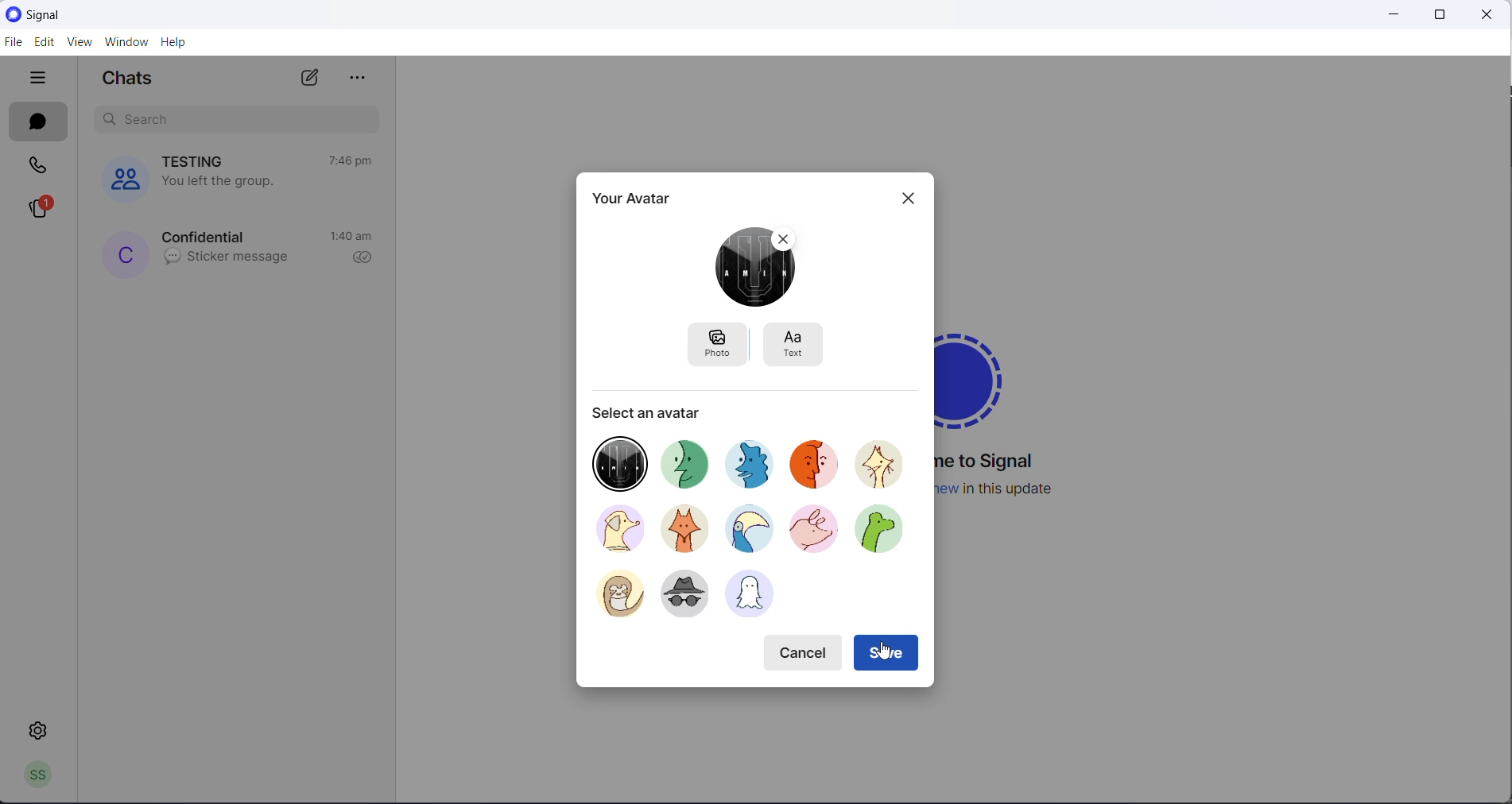 The image size is (1512, 804). Describe the element at coordinates (349, 160) in the screenshot. I see `last active time` at that location.